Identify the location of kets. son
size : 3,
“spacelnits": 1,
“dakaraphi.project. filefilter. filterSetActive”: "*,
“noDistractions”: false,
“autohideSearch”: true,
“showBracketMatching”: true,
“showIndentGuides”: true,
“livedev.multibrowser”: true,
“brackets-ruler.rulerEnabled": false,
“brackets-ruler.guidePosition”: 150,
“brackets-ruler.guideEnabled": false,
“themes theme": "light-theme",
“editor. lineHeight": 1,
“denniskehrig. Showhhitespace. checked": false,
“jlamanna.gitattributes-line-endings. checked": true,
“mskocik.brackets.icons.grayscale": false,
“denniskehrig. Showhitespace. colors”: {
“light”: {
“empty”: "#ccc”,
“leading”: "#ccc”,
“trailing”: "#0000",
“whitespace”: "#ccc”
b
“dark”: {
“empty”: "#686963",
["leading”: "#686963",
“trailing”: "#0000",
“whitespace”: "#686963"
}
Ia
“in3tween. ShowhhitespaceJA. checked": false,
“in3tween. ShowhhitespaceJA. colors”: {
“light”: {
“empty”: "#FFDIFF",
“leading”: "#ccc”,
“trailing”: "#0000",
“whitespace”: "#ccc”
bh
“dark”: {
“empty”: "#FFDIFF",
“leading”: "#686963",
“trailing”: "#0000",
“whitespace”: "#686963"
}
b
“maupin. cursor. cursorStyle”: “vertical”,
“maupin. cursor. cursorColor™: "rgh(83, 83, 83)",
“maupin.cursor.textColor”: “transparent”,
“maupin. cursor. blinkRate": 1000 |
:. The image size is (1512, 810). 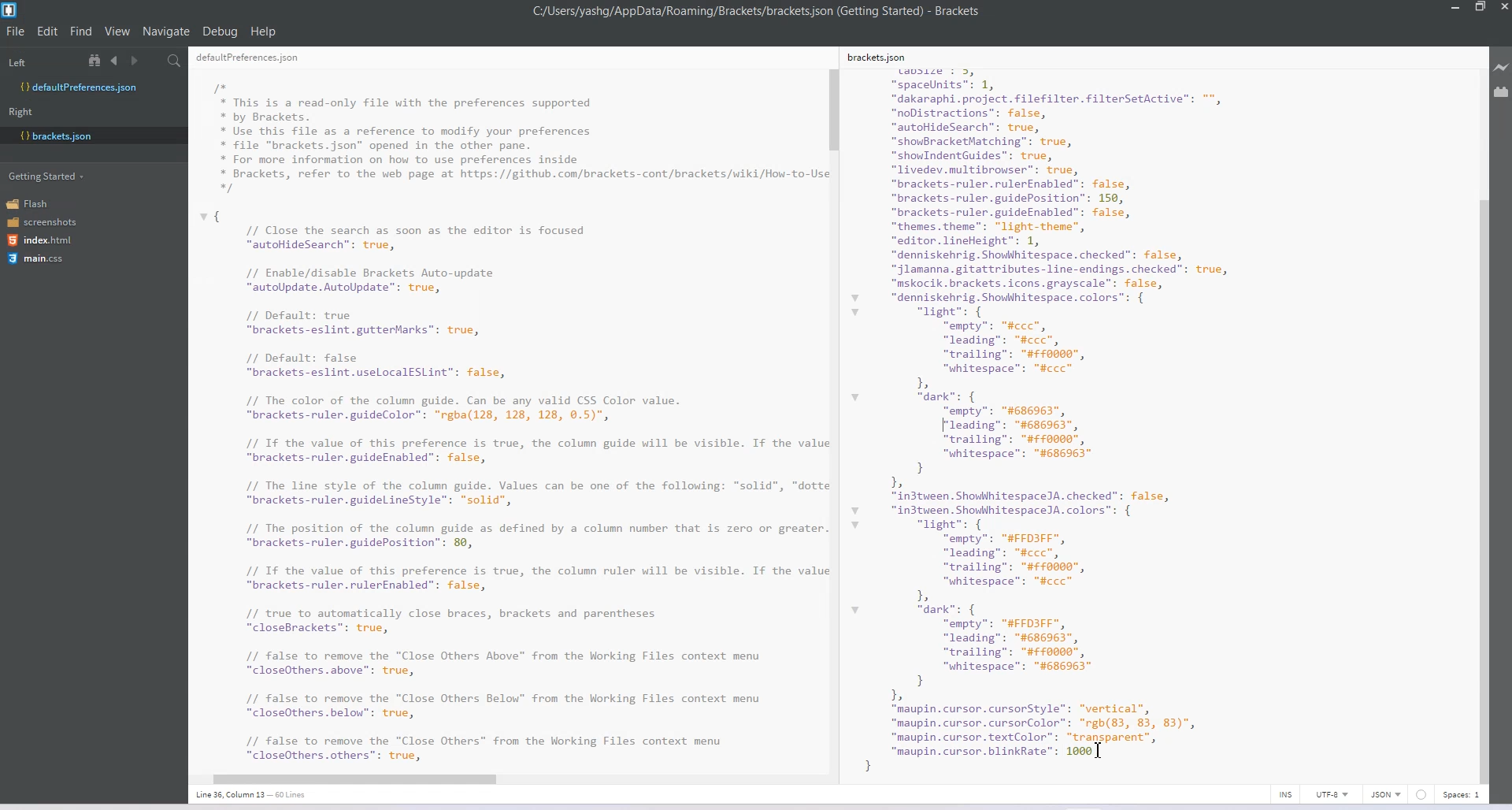
(1076, 407).